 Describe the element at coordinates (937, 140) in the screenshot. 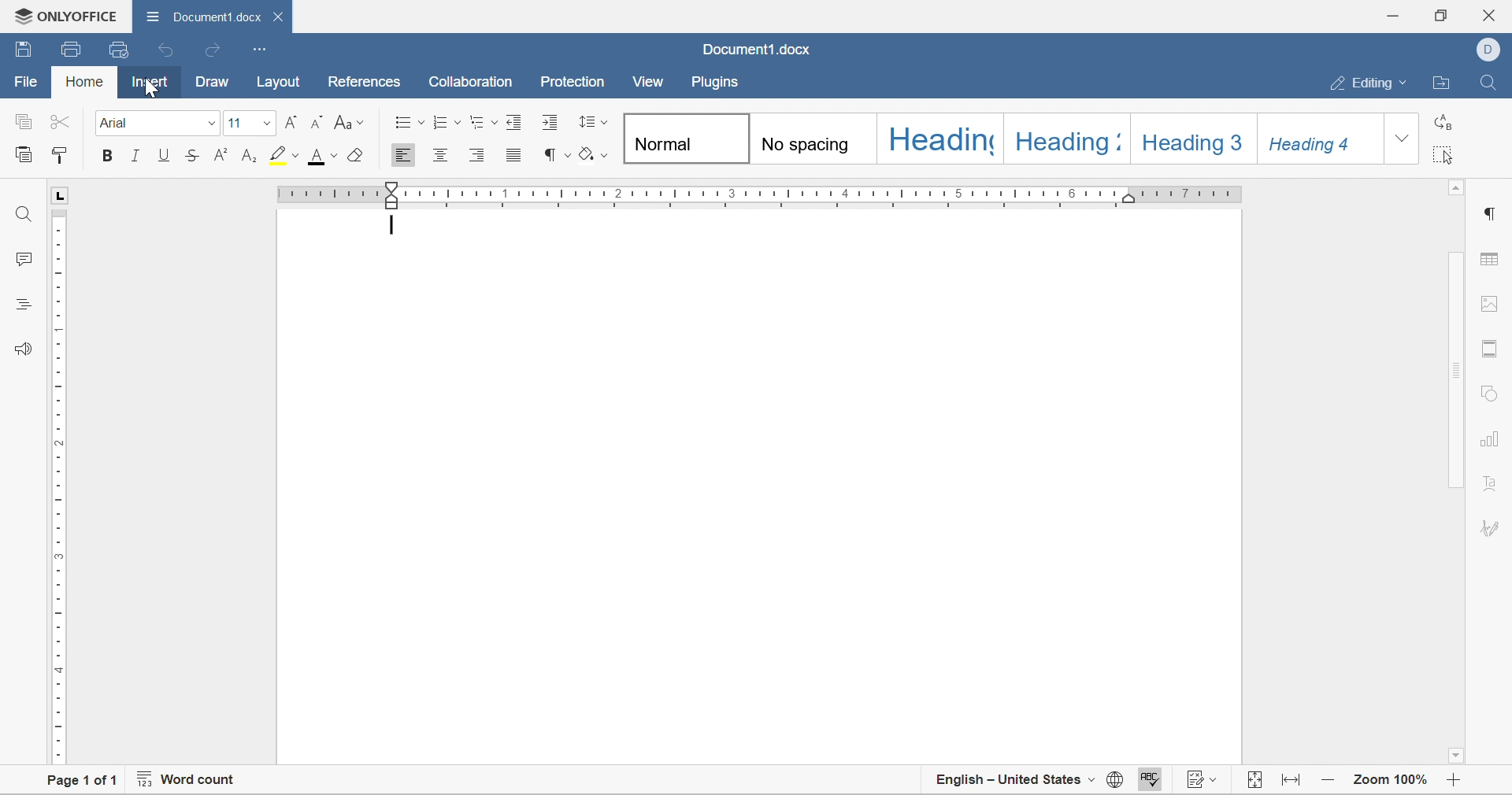

I see `Heading` at that location.